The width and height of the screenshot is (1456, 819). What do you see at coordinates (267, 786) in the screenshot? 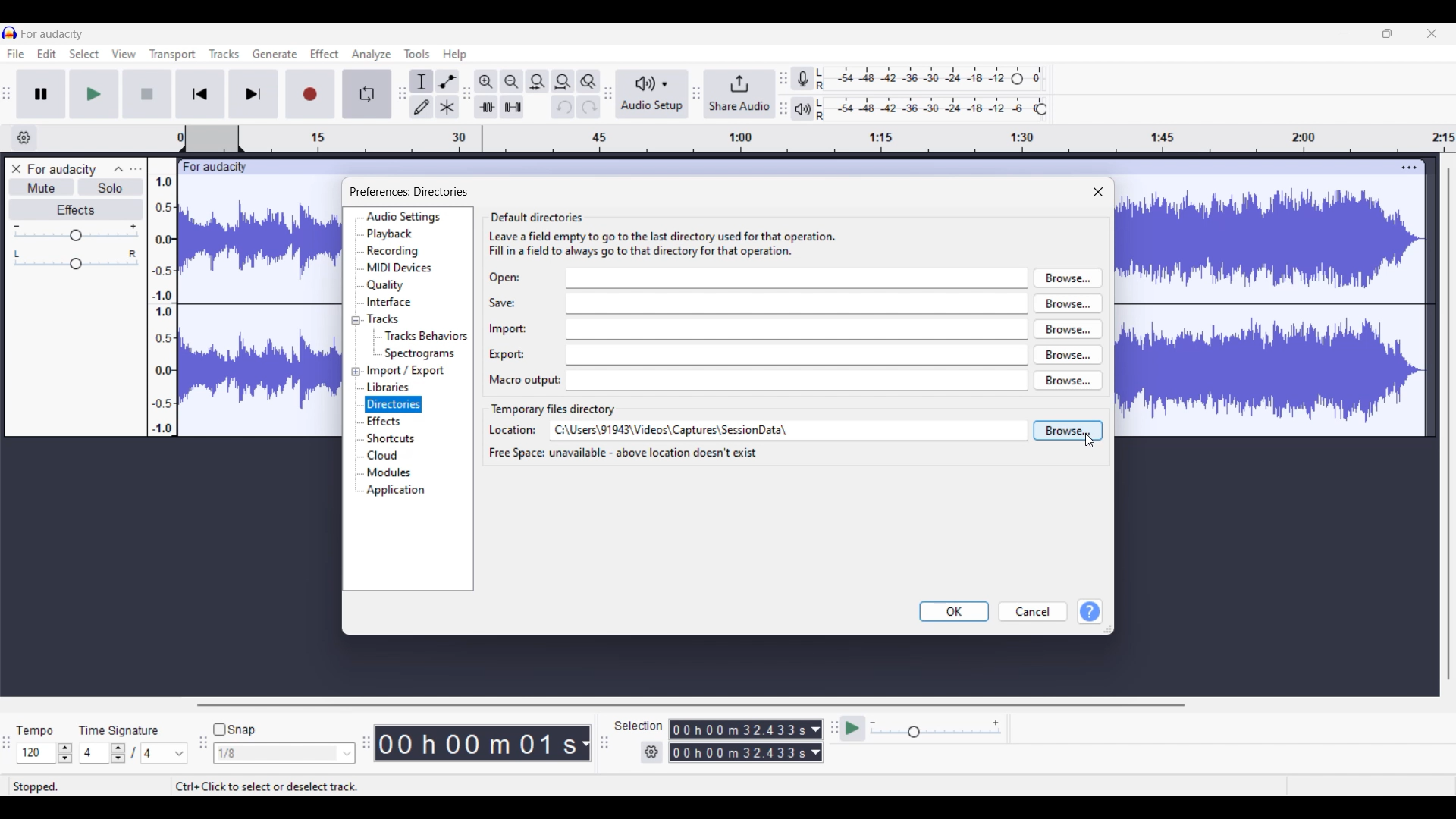
I see `Shortcut to select/deselect track` at bounding box center [267, 786].